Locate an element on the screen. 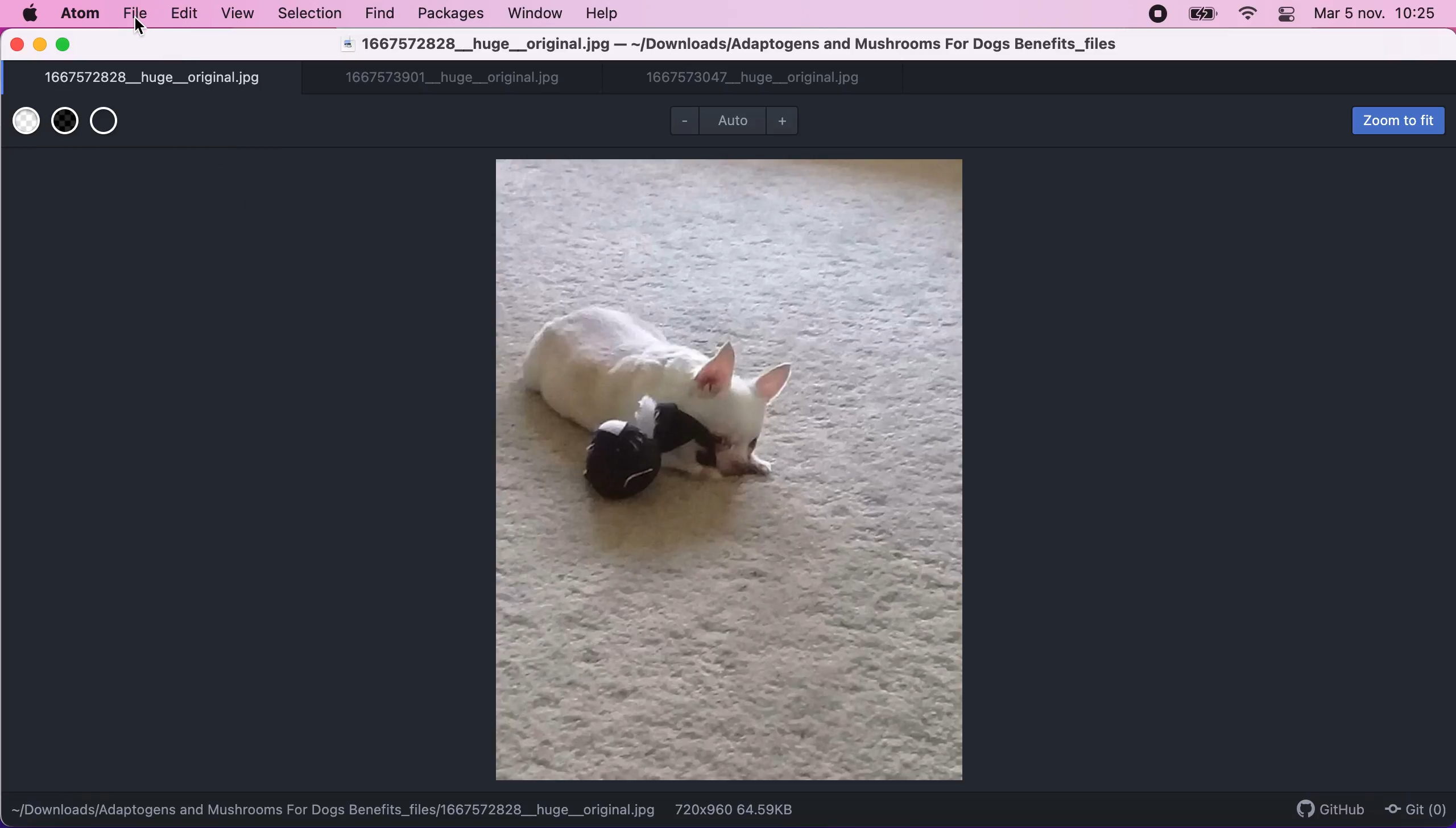 The height and width of the screenshot is (828, 1456). packages is located at coordinates (452, 16).